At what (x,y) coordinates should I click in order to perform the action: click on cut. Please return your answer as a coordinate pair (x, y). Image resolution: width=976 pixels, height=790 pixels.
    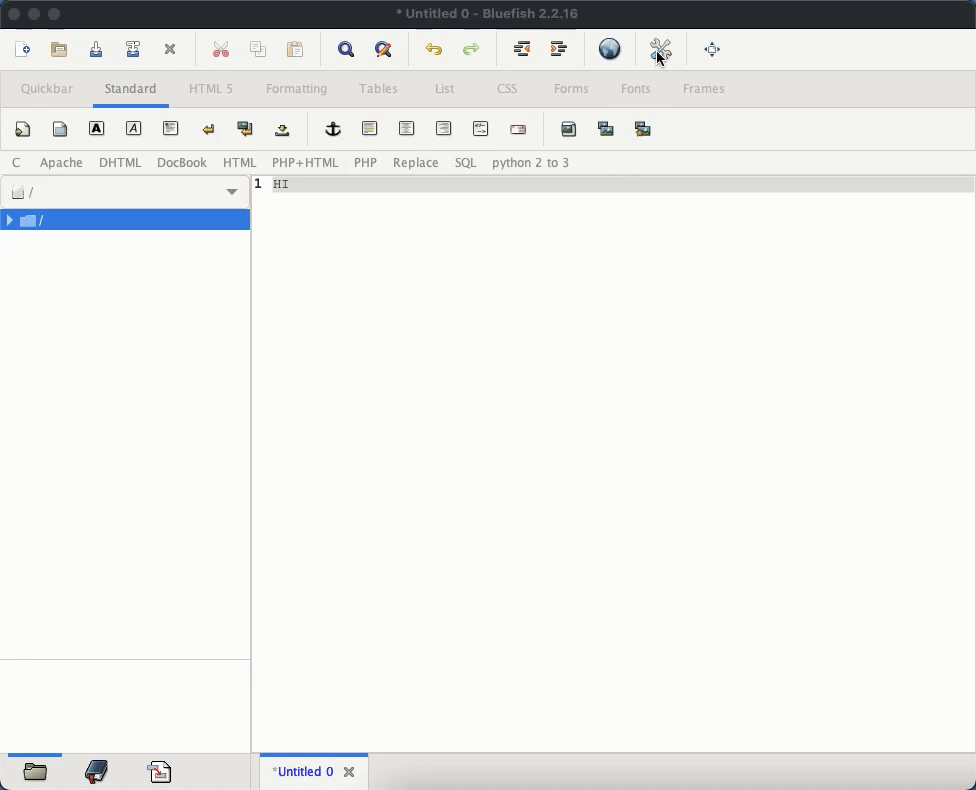
    Looking at the image, I should click on (223, 50).